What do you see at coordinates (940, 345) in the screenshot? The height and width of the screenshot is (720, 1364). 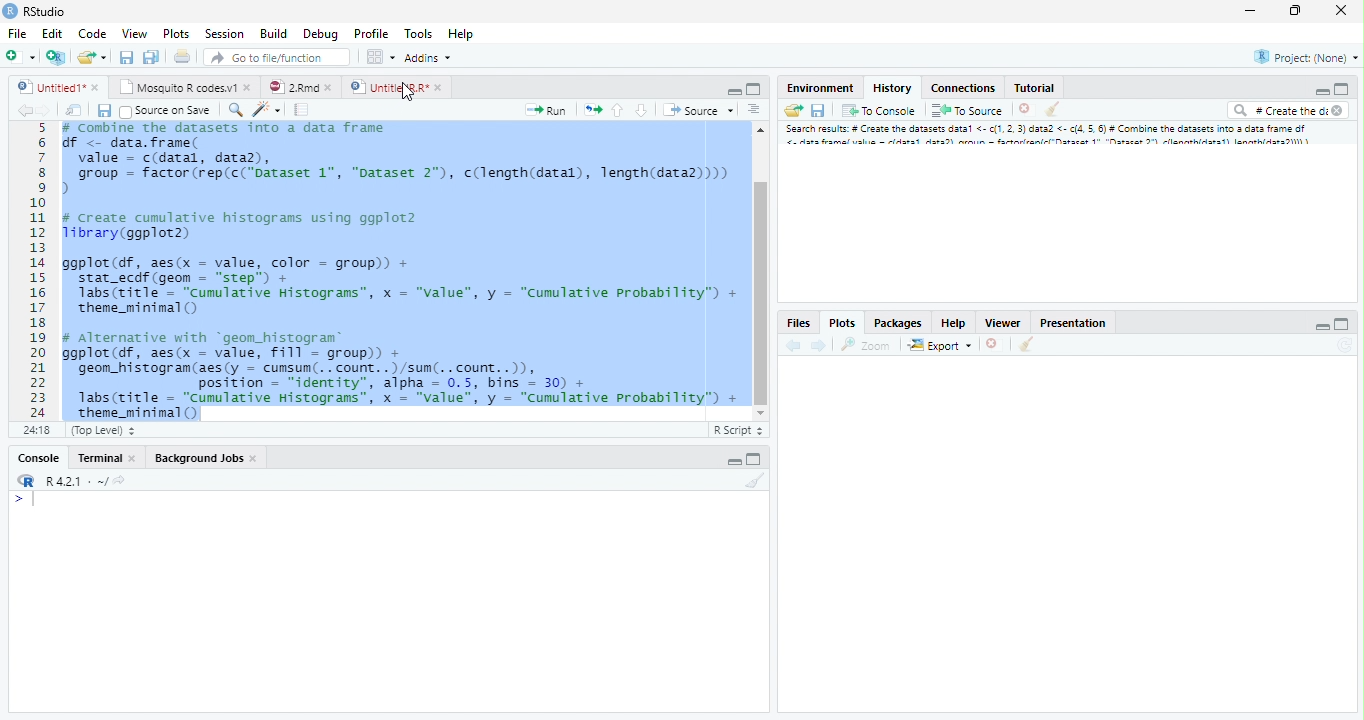 I see `Export` at bounding box center [940, 345].